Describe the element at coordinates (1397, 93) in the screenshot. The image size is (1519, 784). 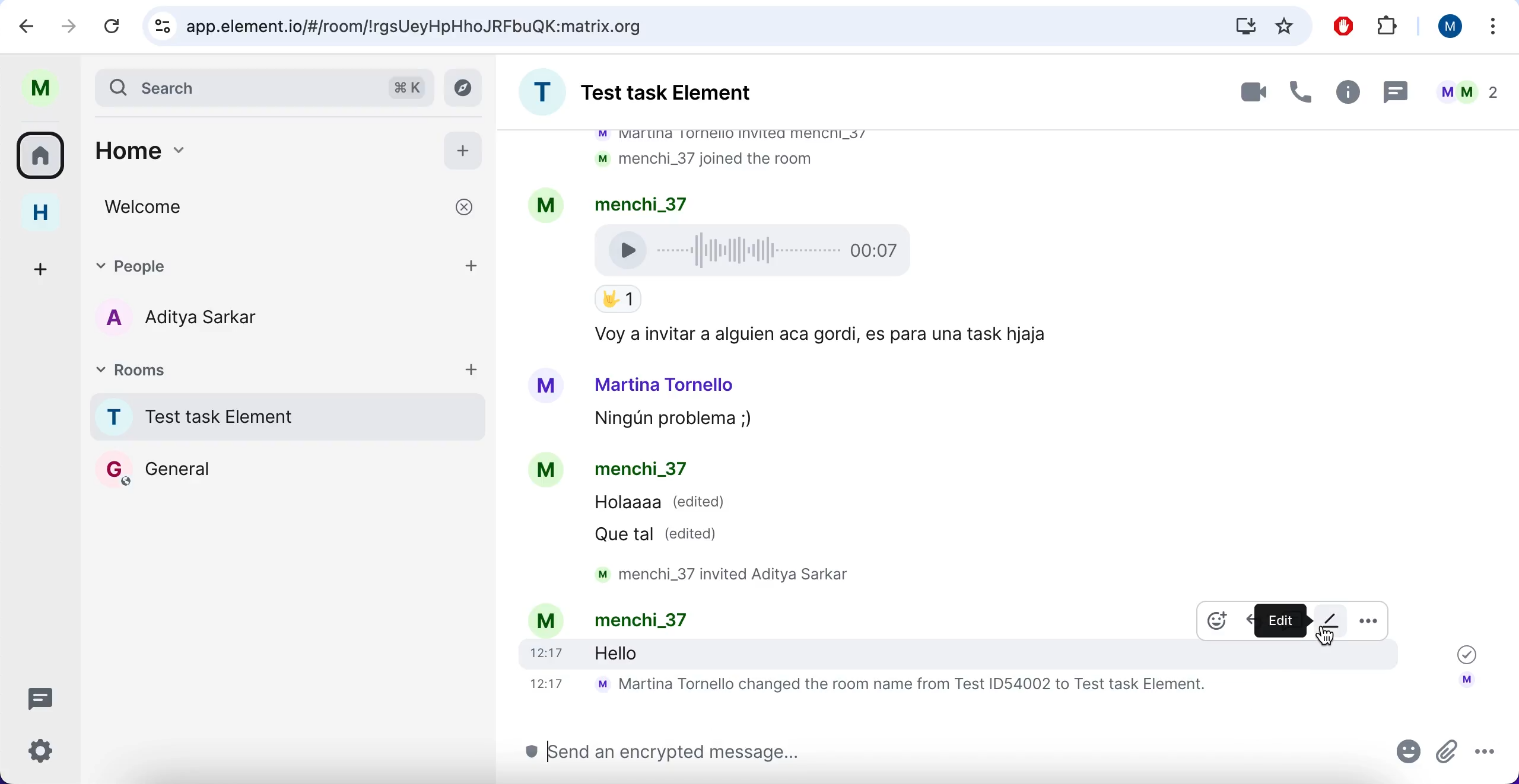
I see `message` at that location.